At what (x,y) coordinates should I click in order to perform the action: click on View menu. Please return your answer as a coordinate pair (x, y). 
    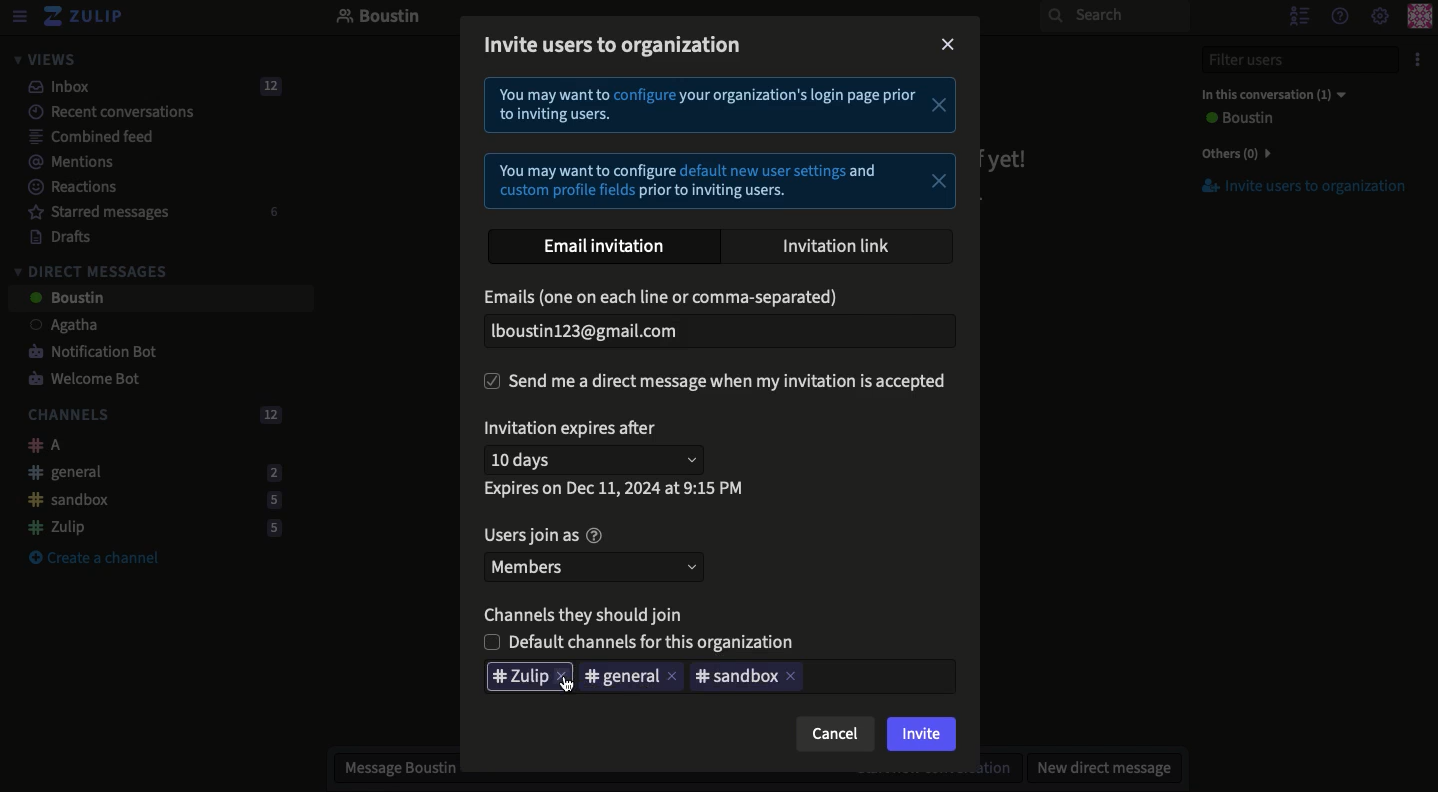
    Looking at the image, I should click on (18, 17).